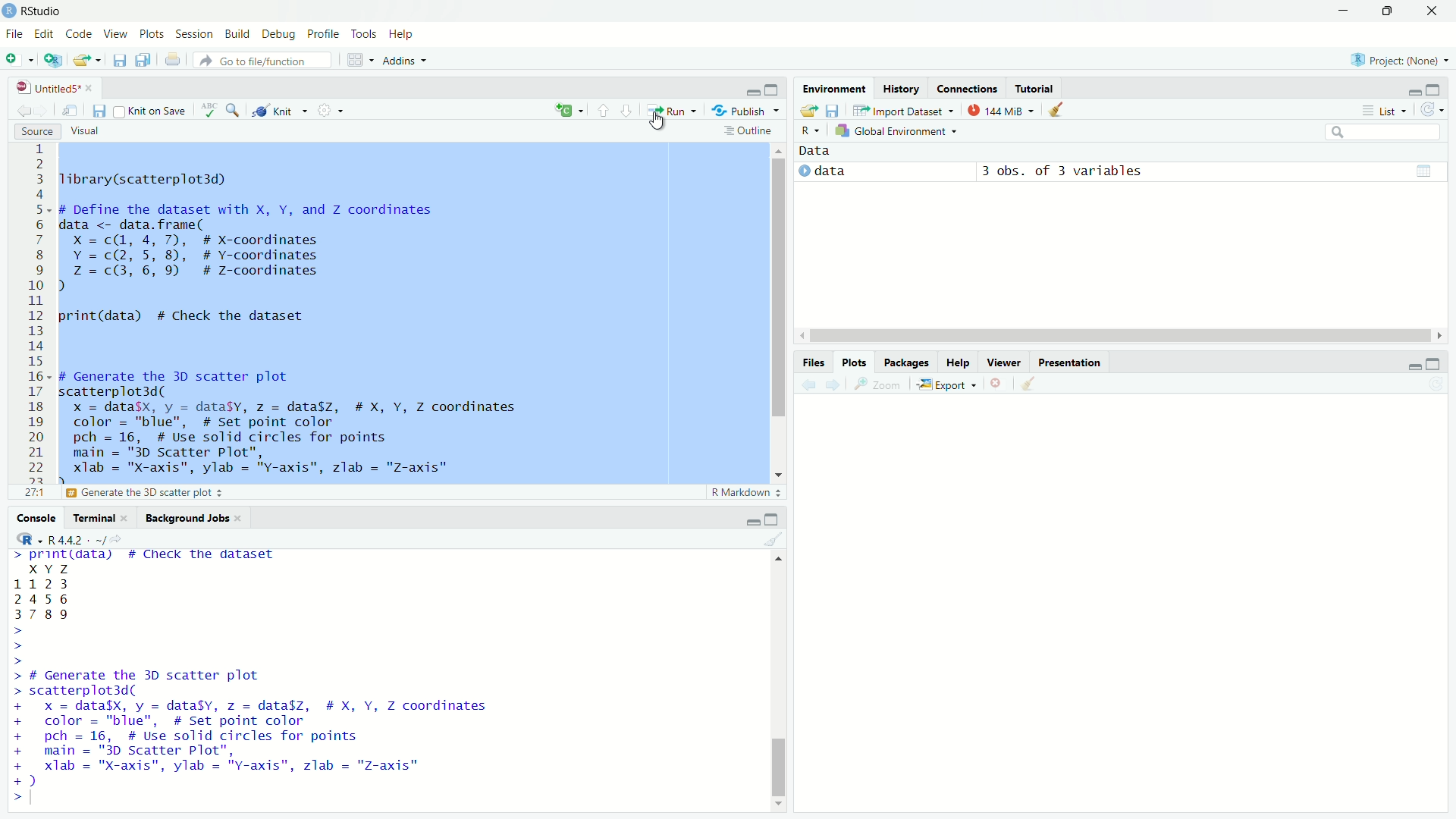  What do you see at coordinates (44, 111) in the screenshot?
I see `go forward to the next source location` at bounding box center [44, 111].